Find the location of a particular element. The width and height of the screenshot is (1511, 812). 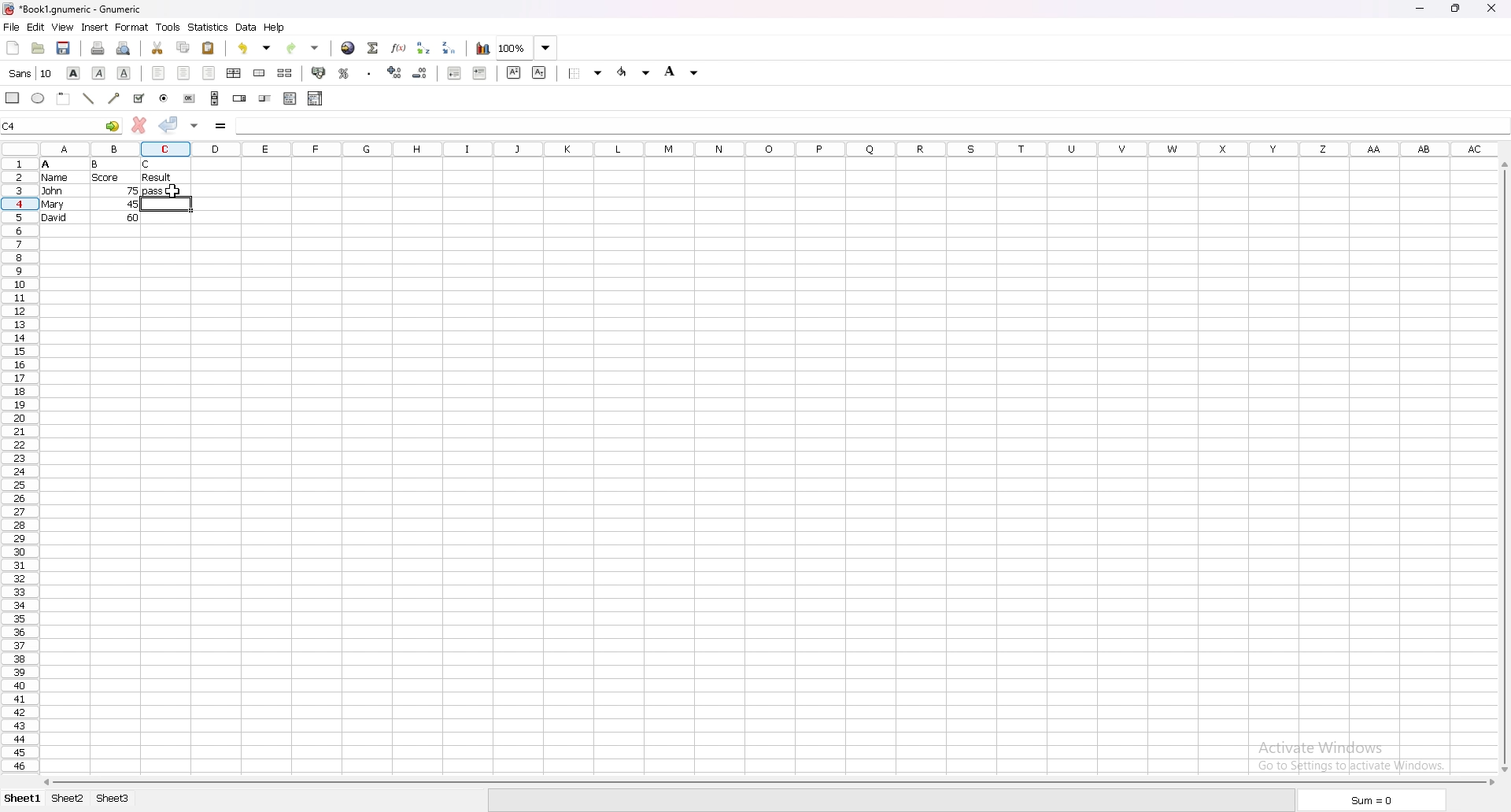

list is located at coordinates (290, 98).